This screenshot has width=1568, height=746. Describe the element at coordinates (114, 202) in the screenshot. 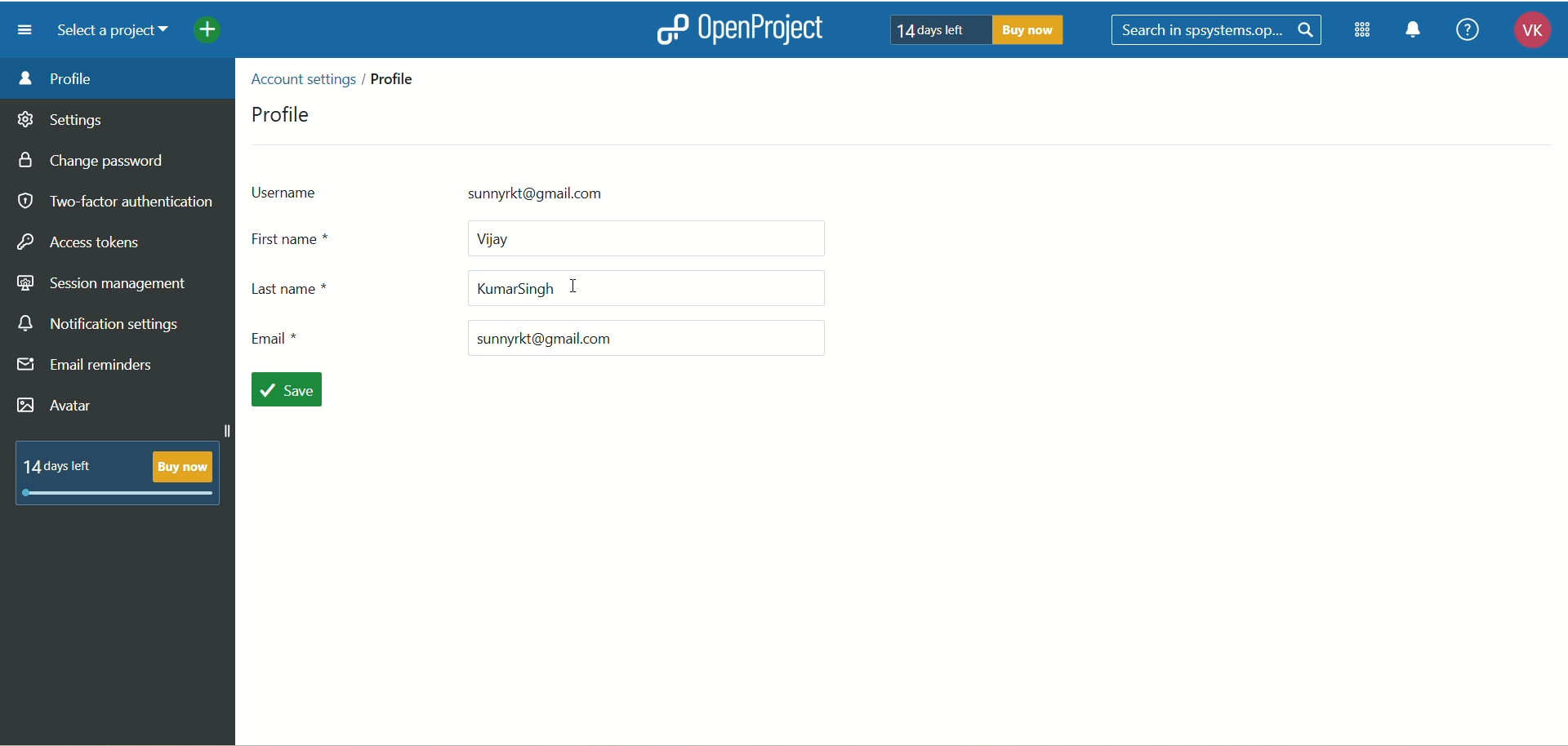

I see `two-factor authentication` at that location.